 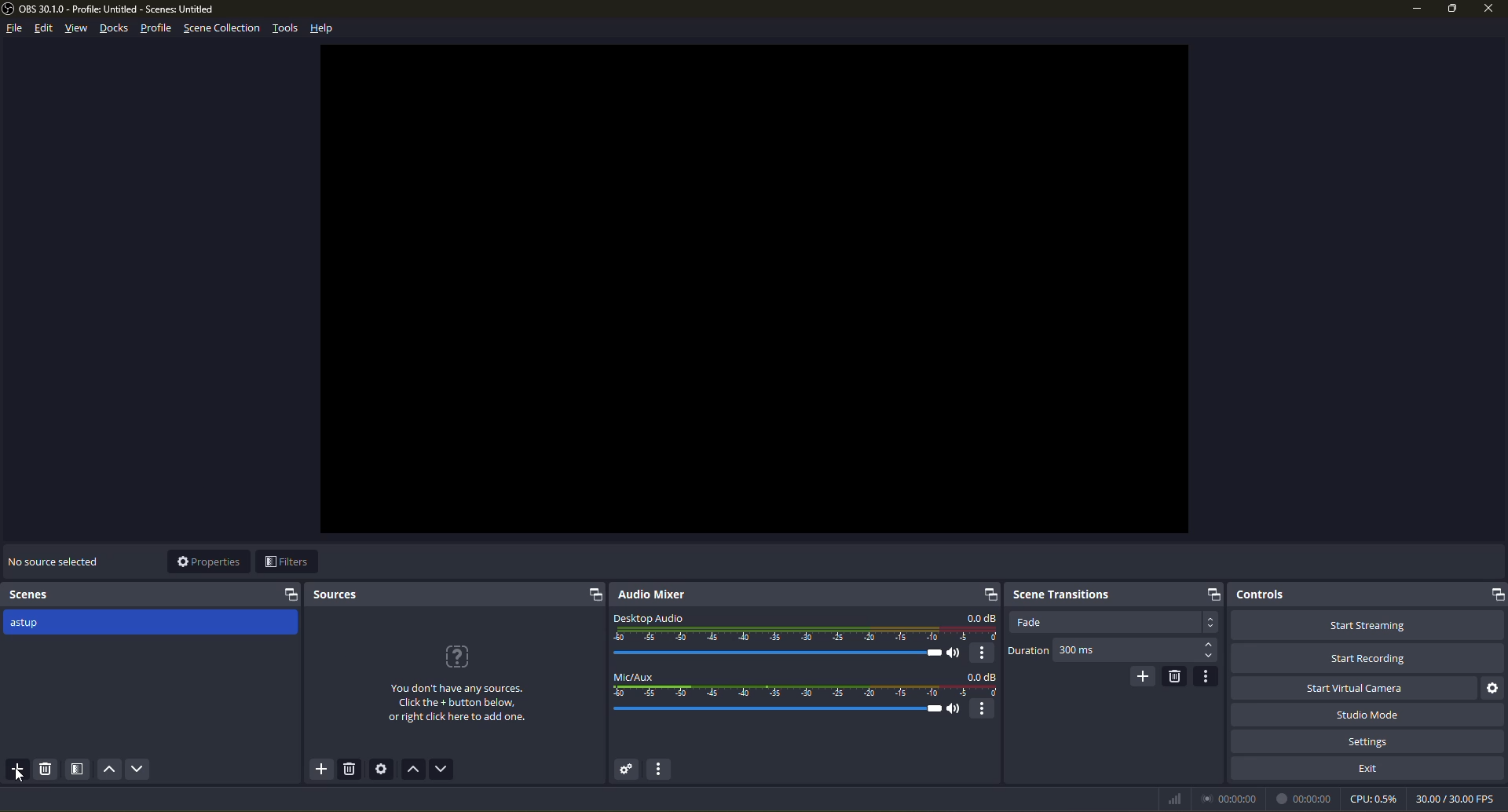 What do you see at coordinates (1145, 676) in the screenshot?
I see `add configurable transition` at bounding box center [1145, 676].